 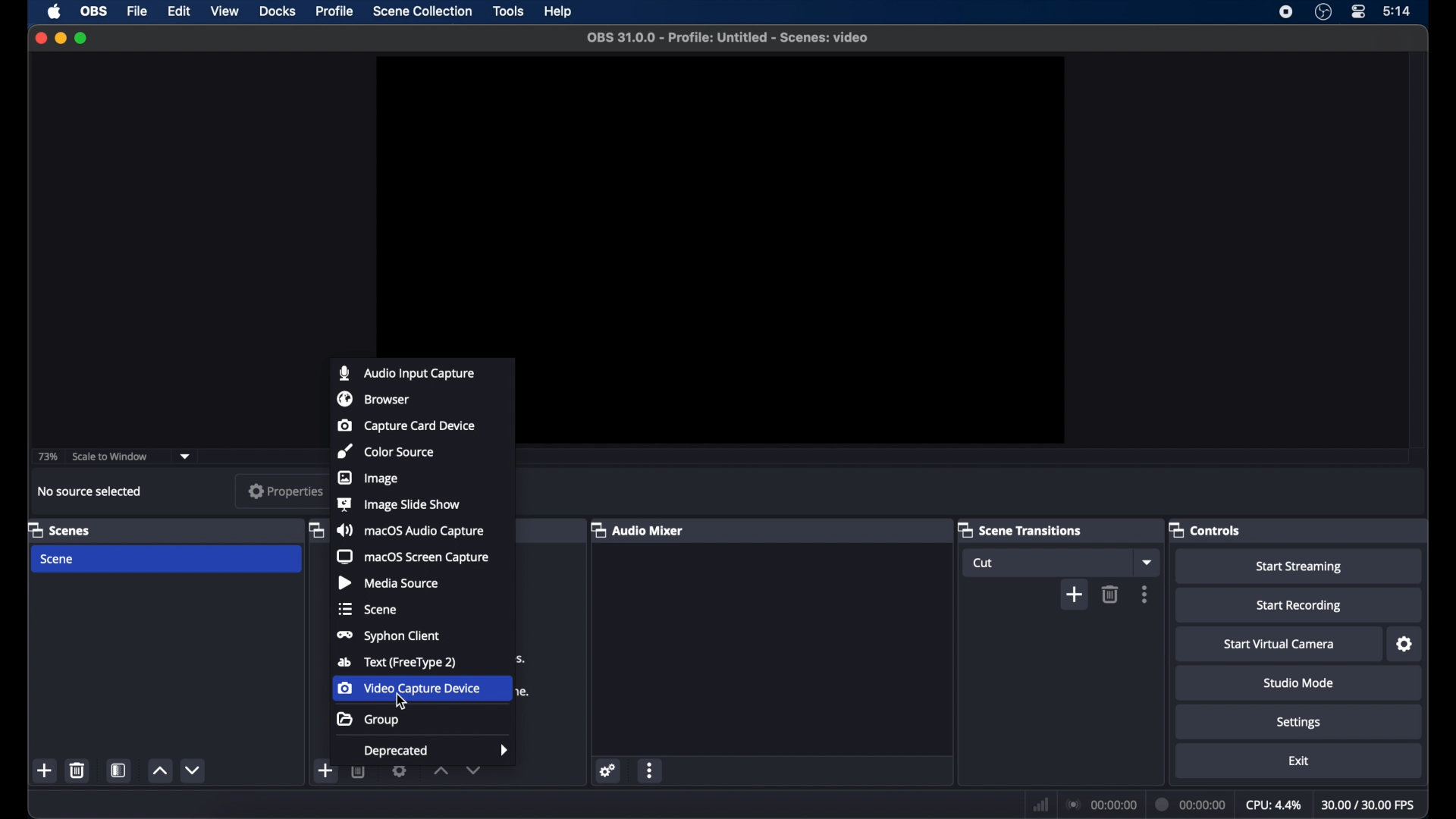 I want to click on delete, so click(x=77, y=770).